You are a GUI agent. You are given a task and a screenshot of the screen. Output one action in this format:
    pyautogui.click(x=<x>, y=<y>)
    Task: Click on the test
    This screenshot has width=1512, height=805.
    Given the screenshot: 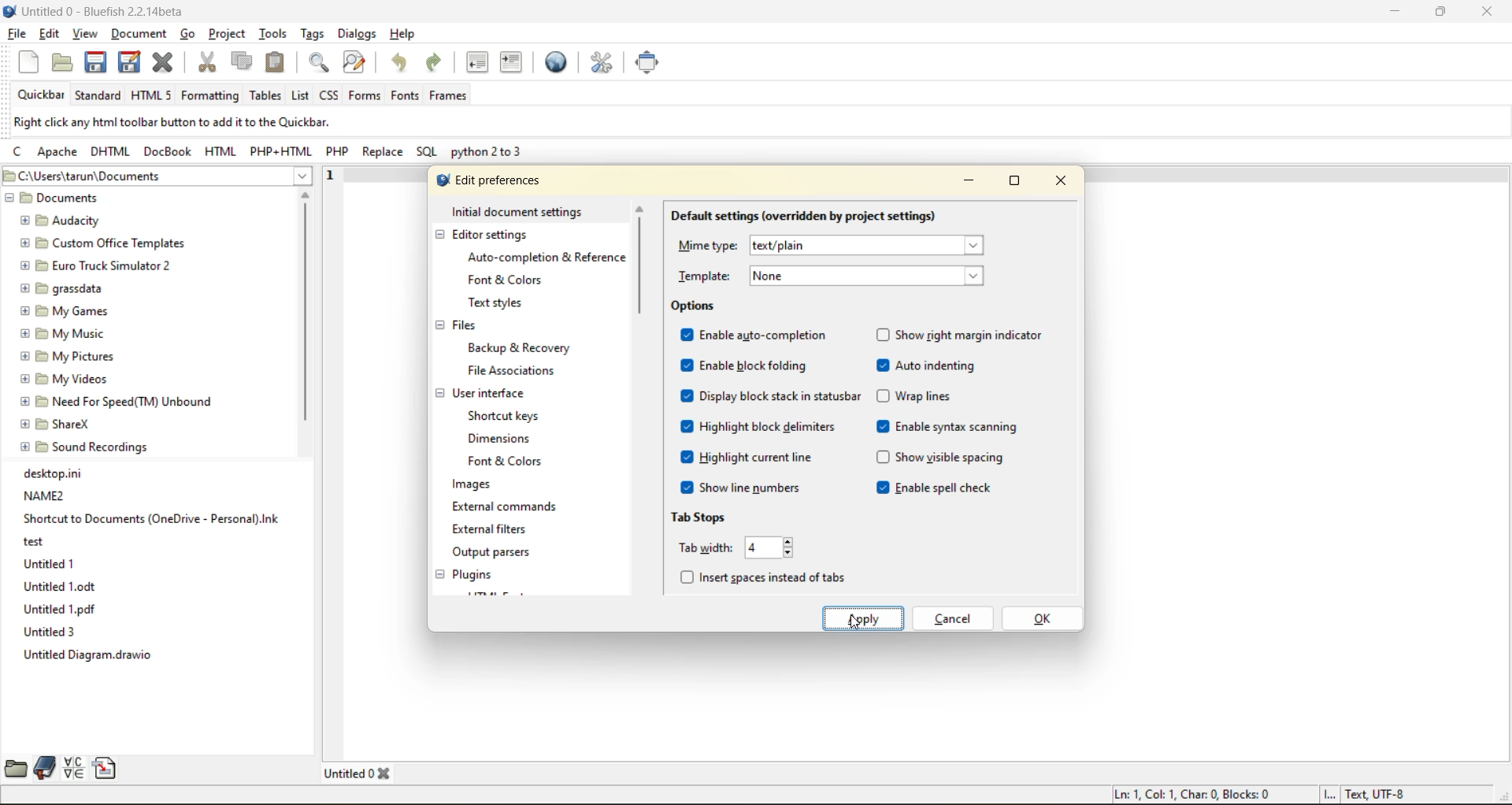 What is the action you would take?
    pyautogui.click(x=35, y=540)
    